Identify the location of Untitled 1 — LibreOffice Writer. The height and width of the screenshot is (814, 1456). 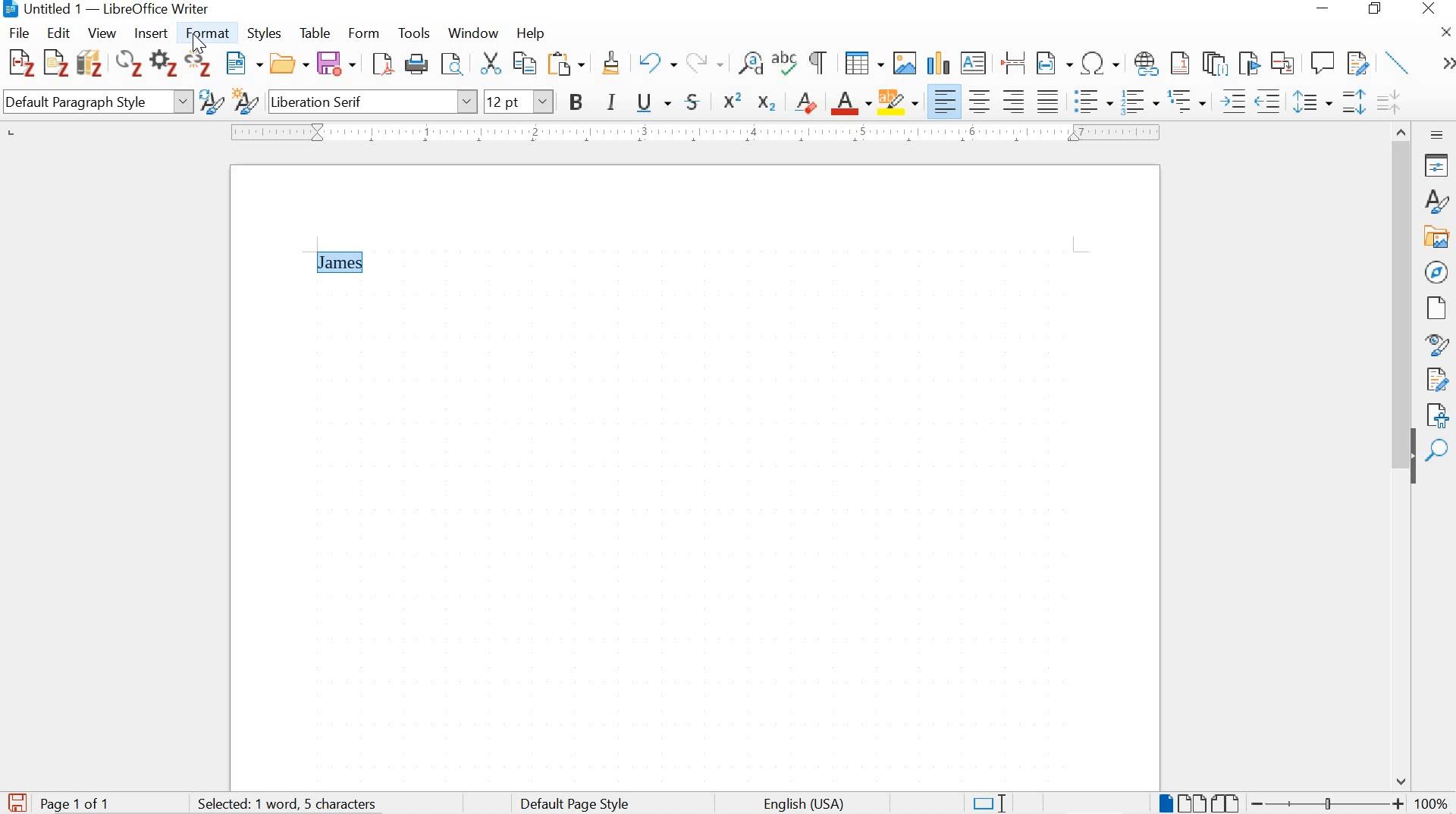
(112, 10).